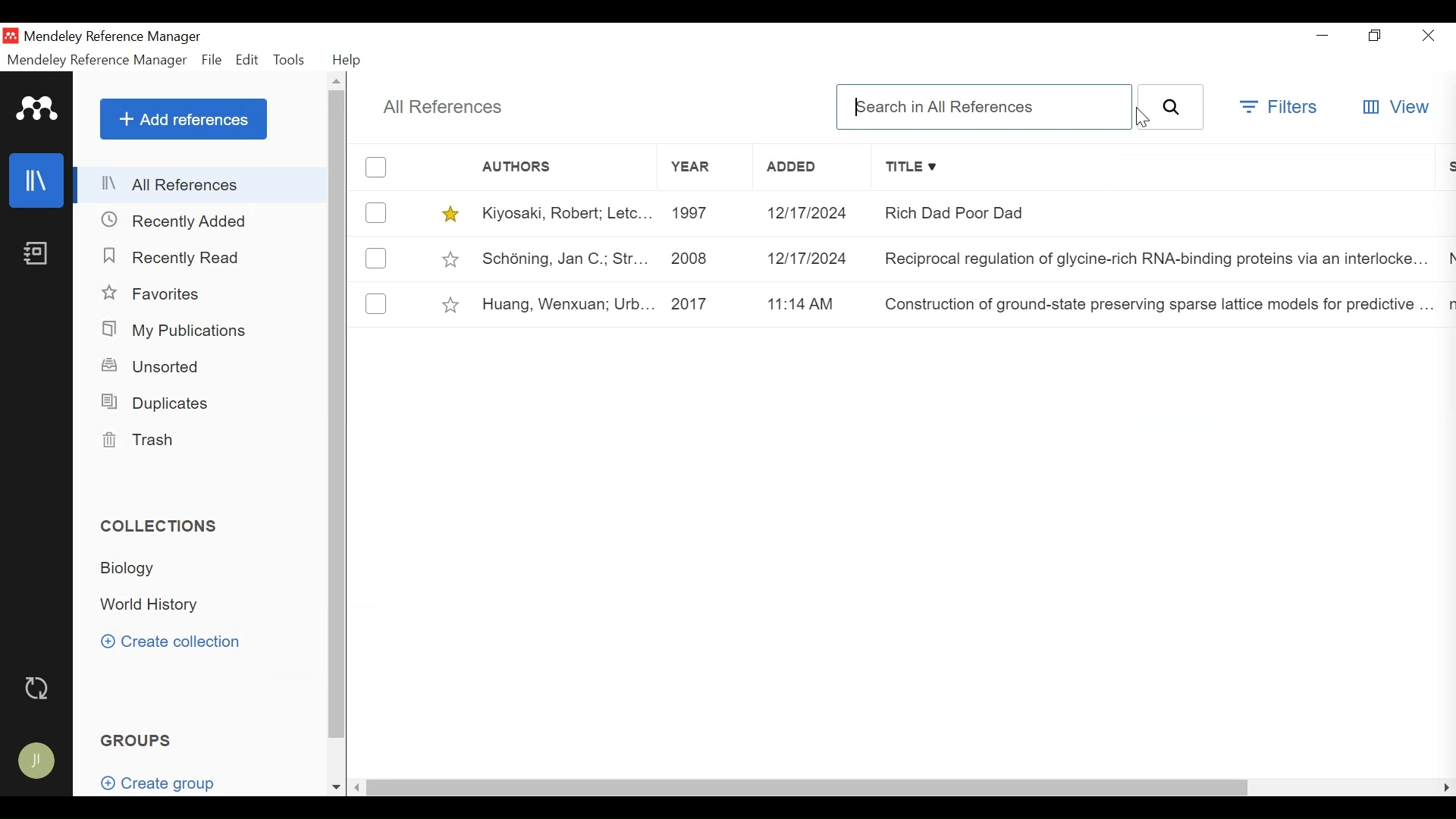 The image size is (1456, 819). What do you see at coordinates (137, 37) in the screenshot?
I see `Mendeley Reference Manager` at bounding box center [137, 37].